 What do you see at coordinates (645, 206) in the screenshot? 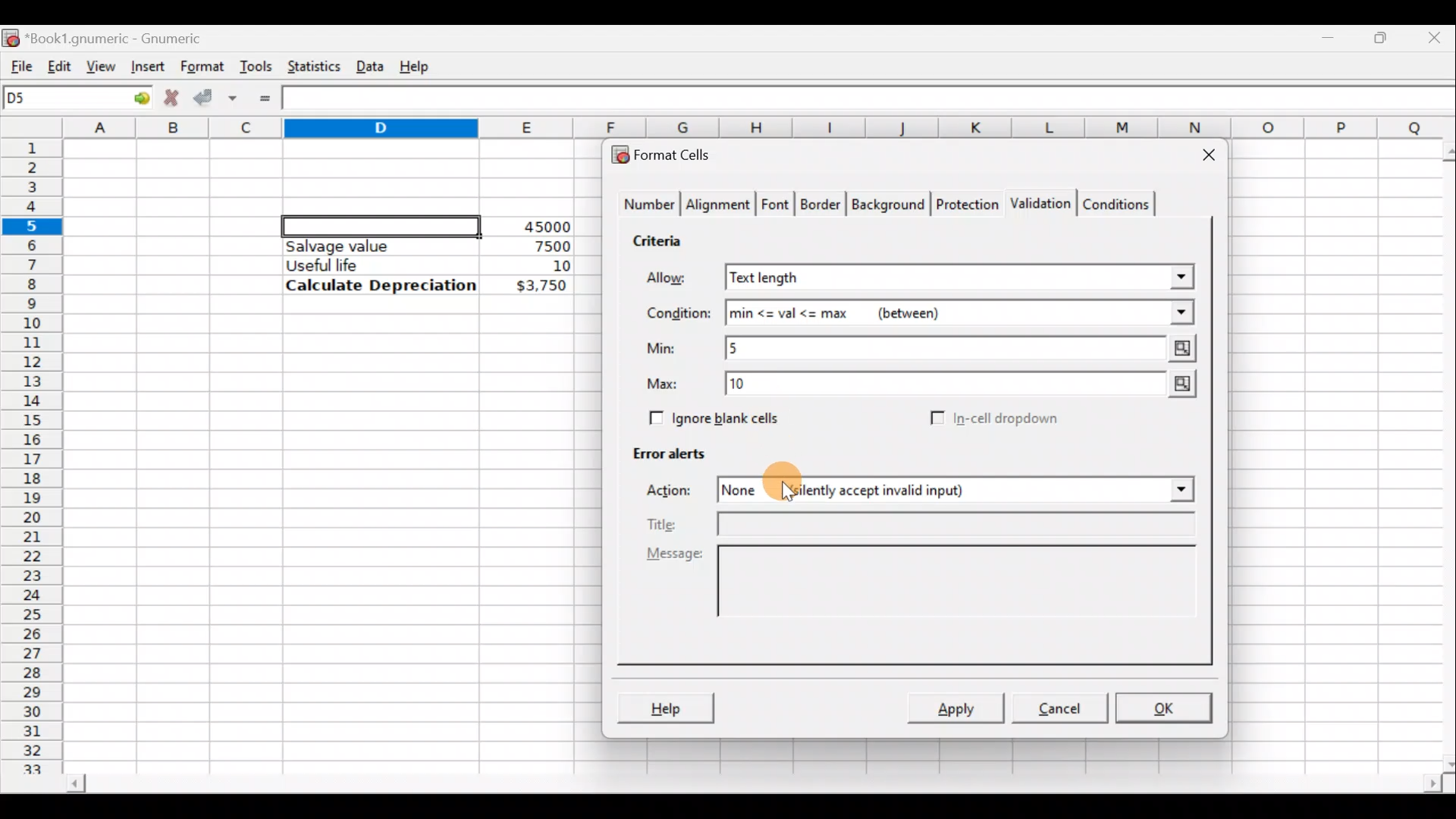
I see `Number` at bounding box center [645, 206].